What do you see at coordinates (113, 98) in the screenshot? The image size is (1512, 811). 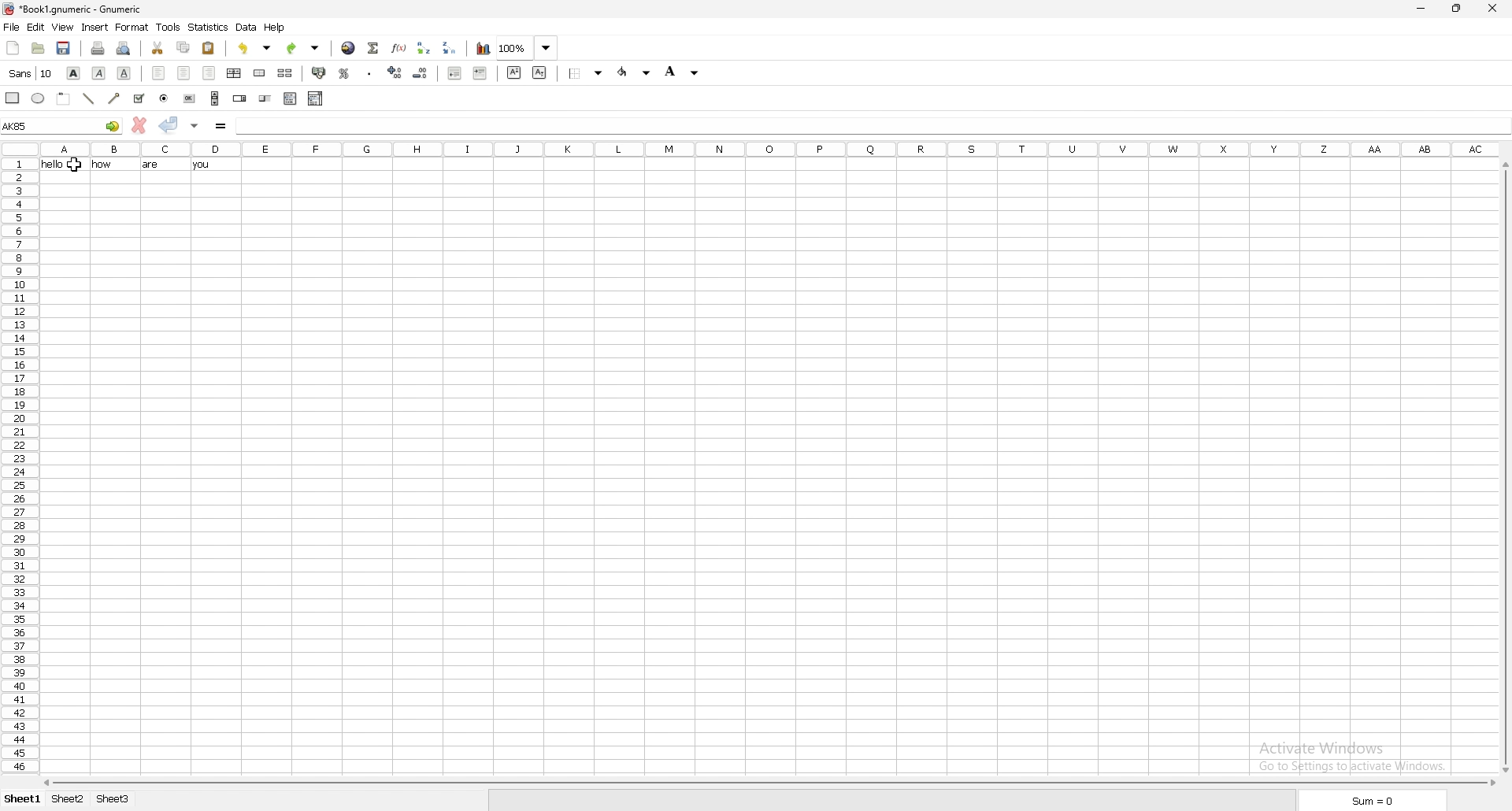 I see `arrowed line` at bounding box center [113, 98].